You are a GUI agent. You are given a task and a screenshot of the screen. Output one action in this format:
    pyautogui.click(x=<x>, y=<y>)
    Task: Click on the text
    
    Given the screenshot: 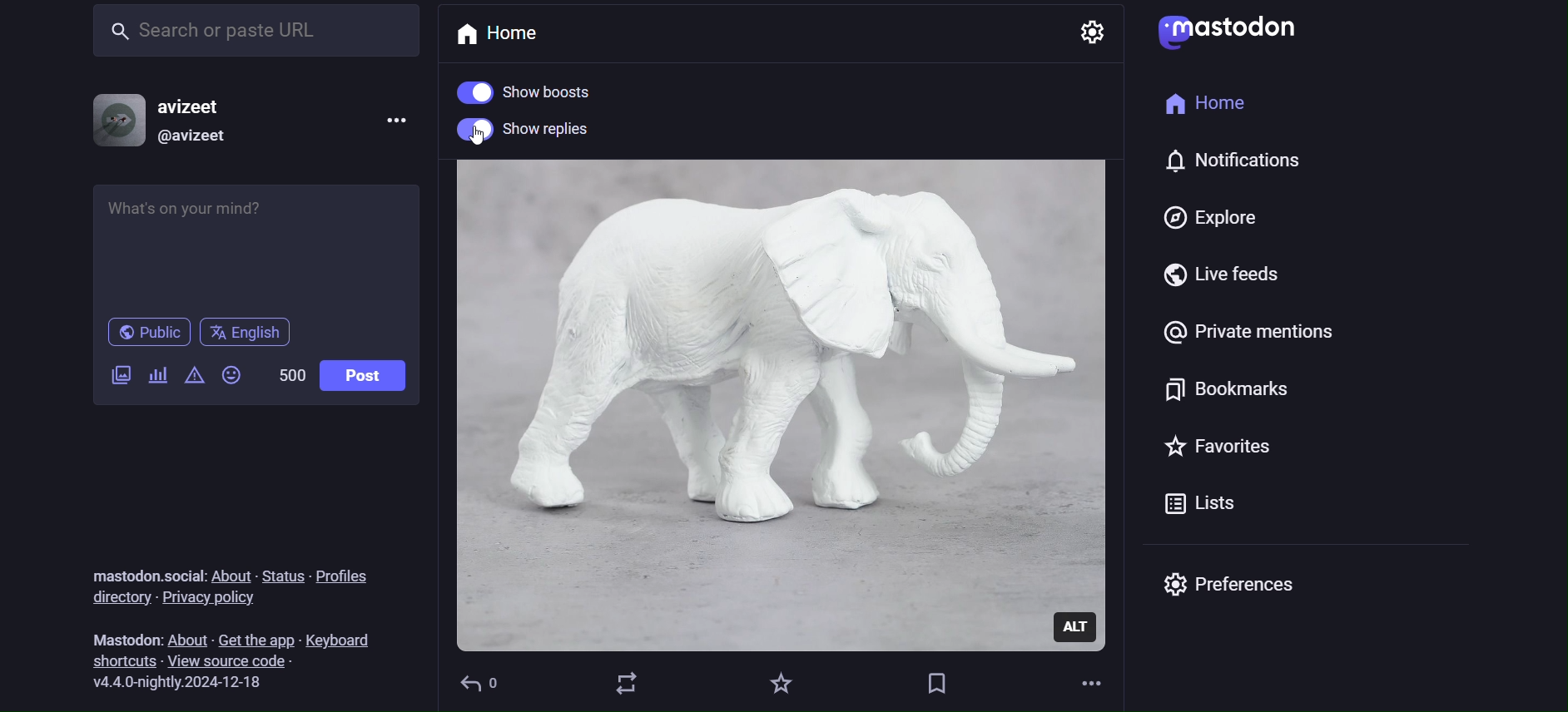 What is the action you would take?
    pyautogui.click(x=144, y=574)
    